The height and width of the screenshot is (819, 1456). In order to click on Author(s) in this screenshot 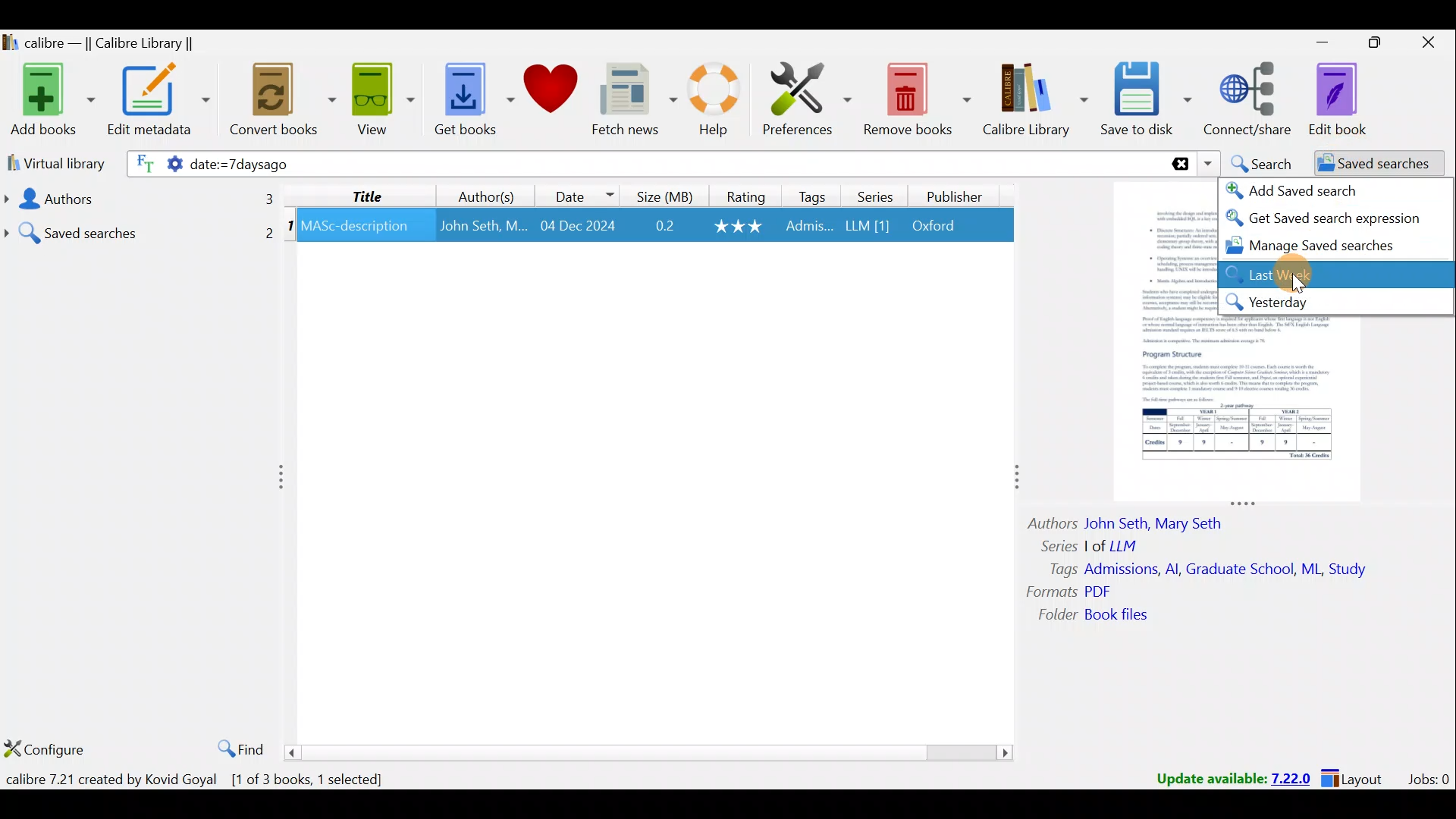, I will do `click(490, 193)`.